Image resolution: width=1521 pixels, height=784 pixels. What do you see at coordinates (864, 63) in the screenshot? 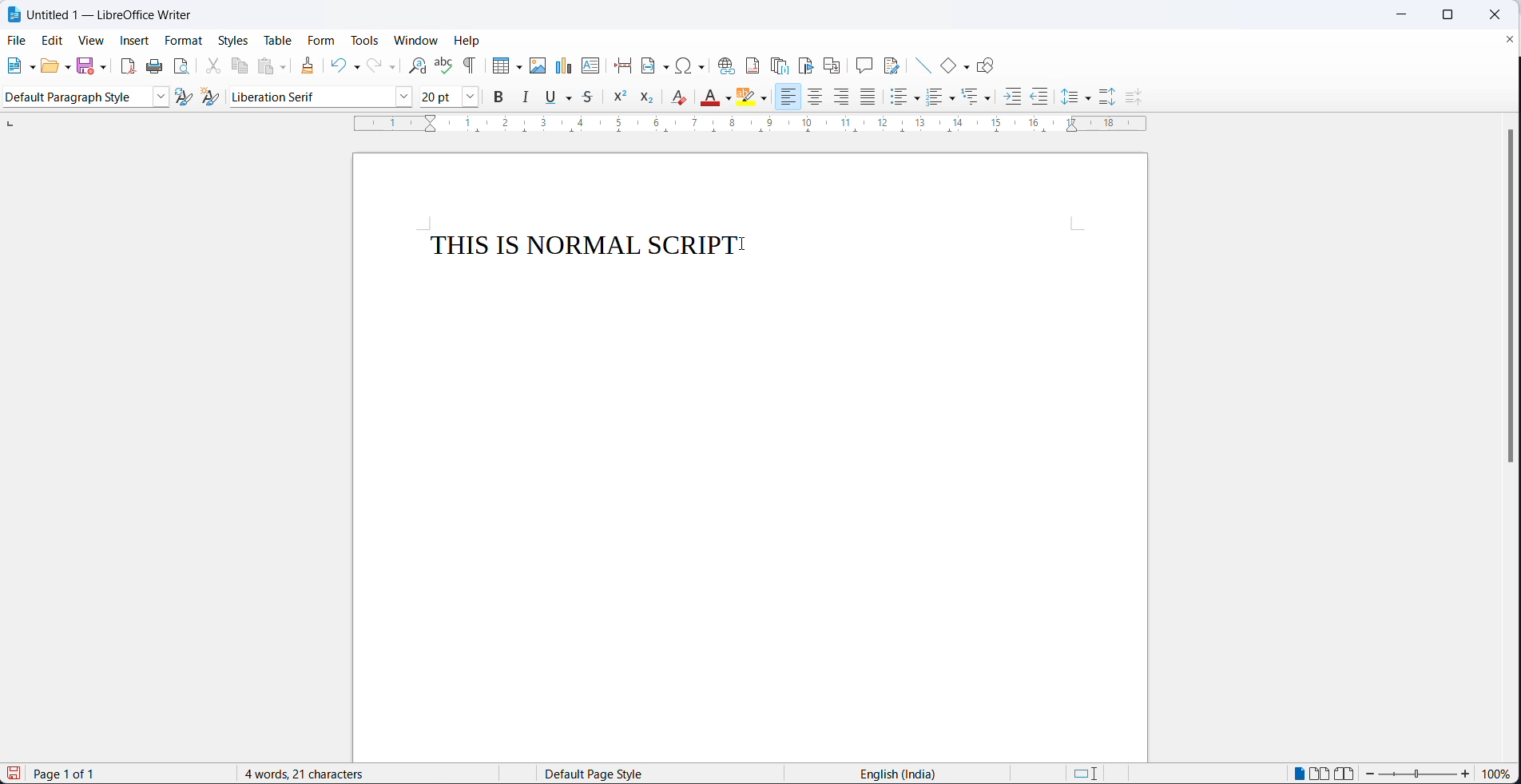
I see `insert comments` at bounding box center [864, 63].